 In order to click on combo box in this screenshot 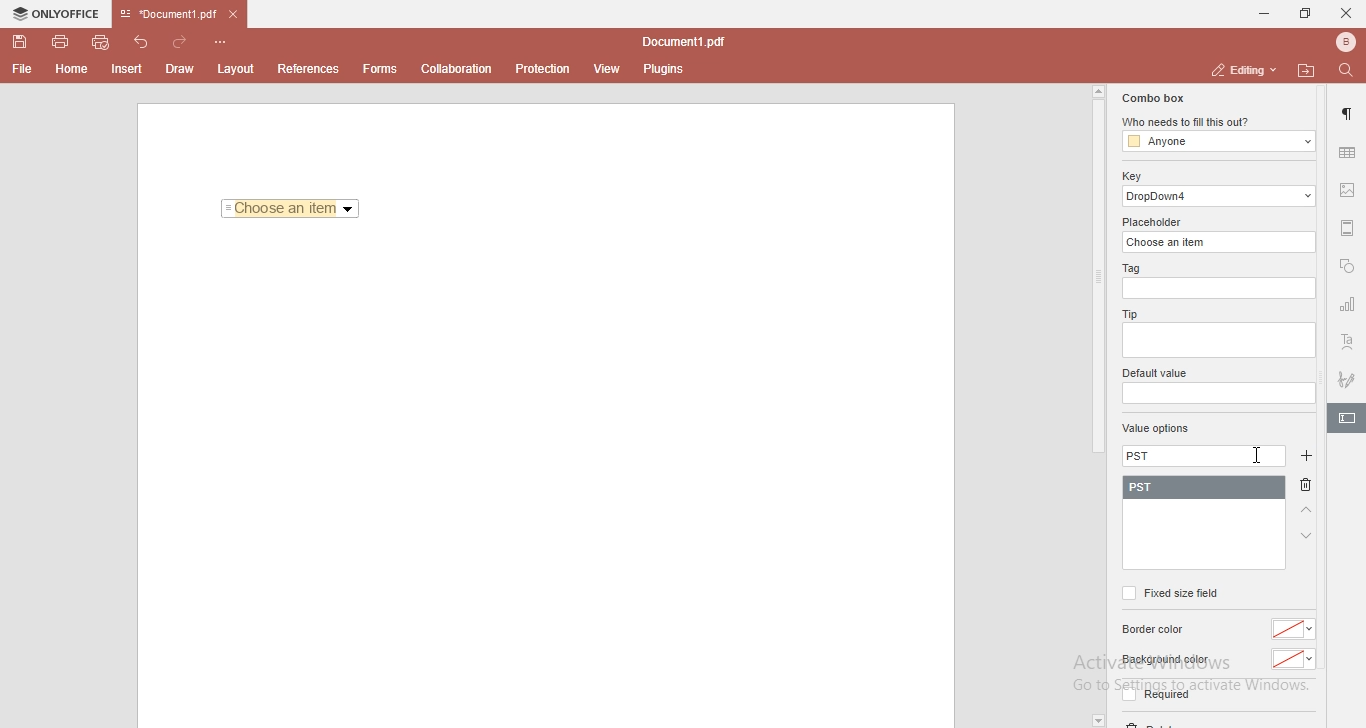, I will do `click(1151, 98)`.